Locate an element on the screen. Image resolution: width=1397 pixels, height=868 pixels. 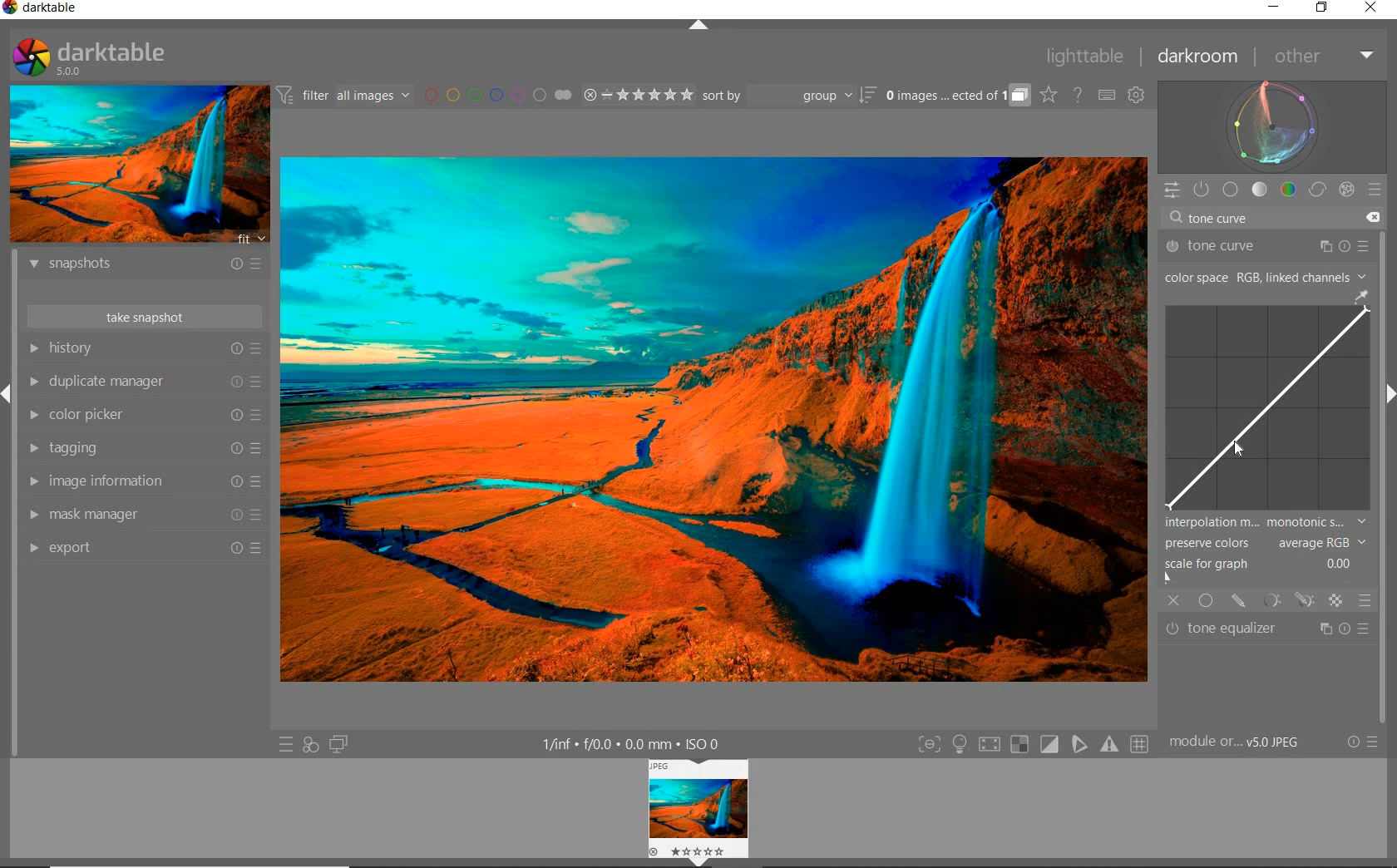
effect is located at coordinates (1344, 189).